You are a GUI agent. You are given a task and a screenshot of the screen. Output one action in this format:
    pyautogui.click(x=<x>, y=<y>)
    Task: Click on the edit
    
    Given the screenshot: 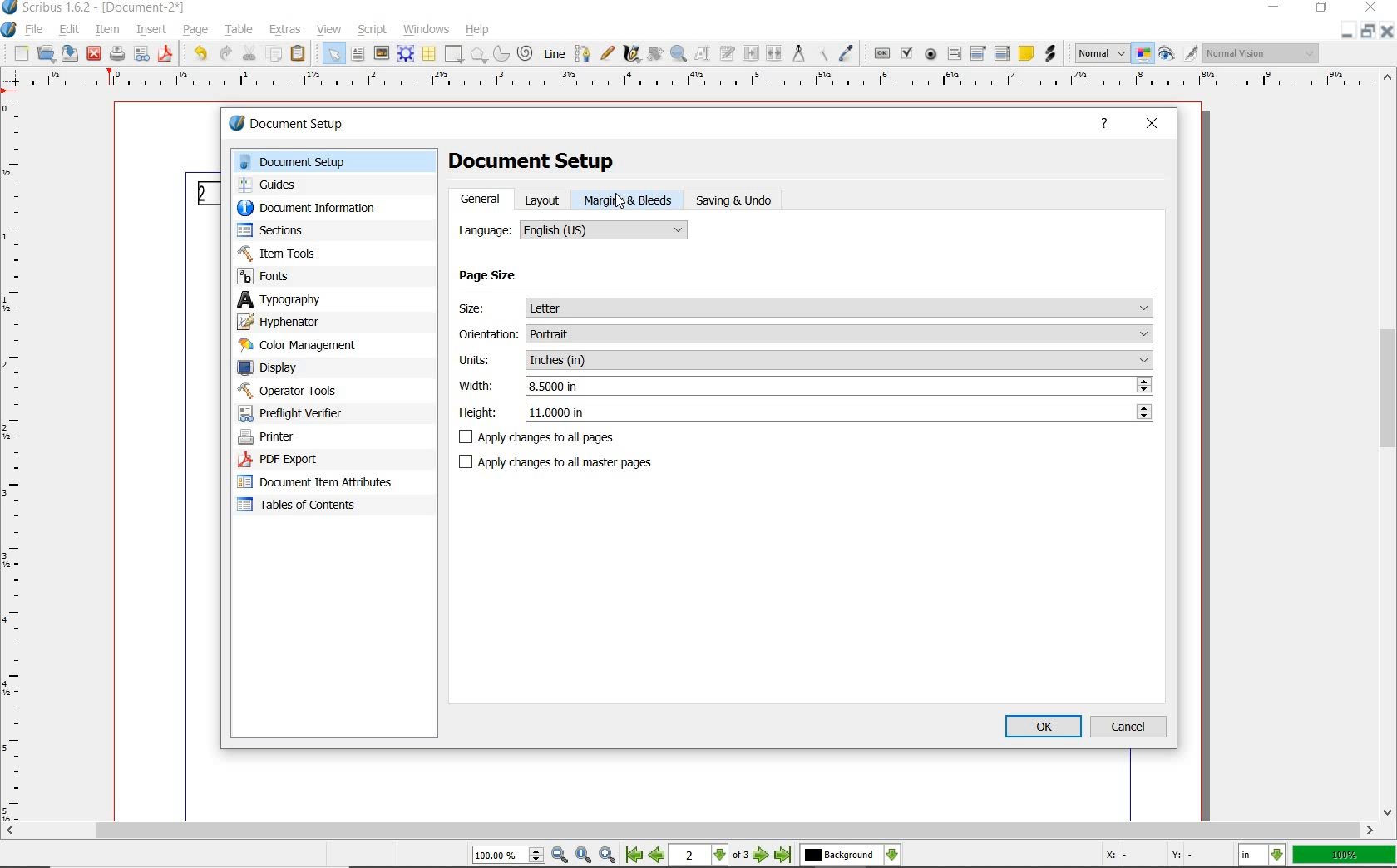 What is the action you would take?
    pyautogui.click(x=68, y=29)
    